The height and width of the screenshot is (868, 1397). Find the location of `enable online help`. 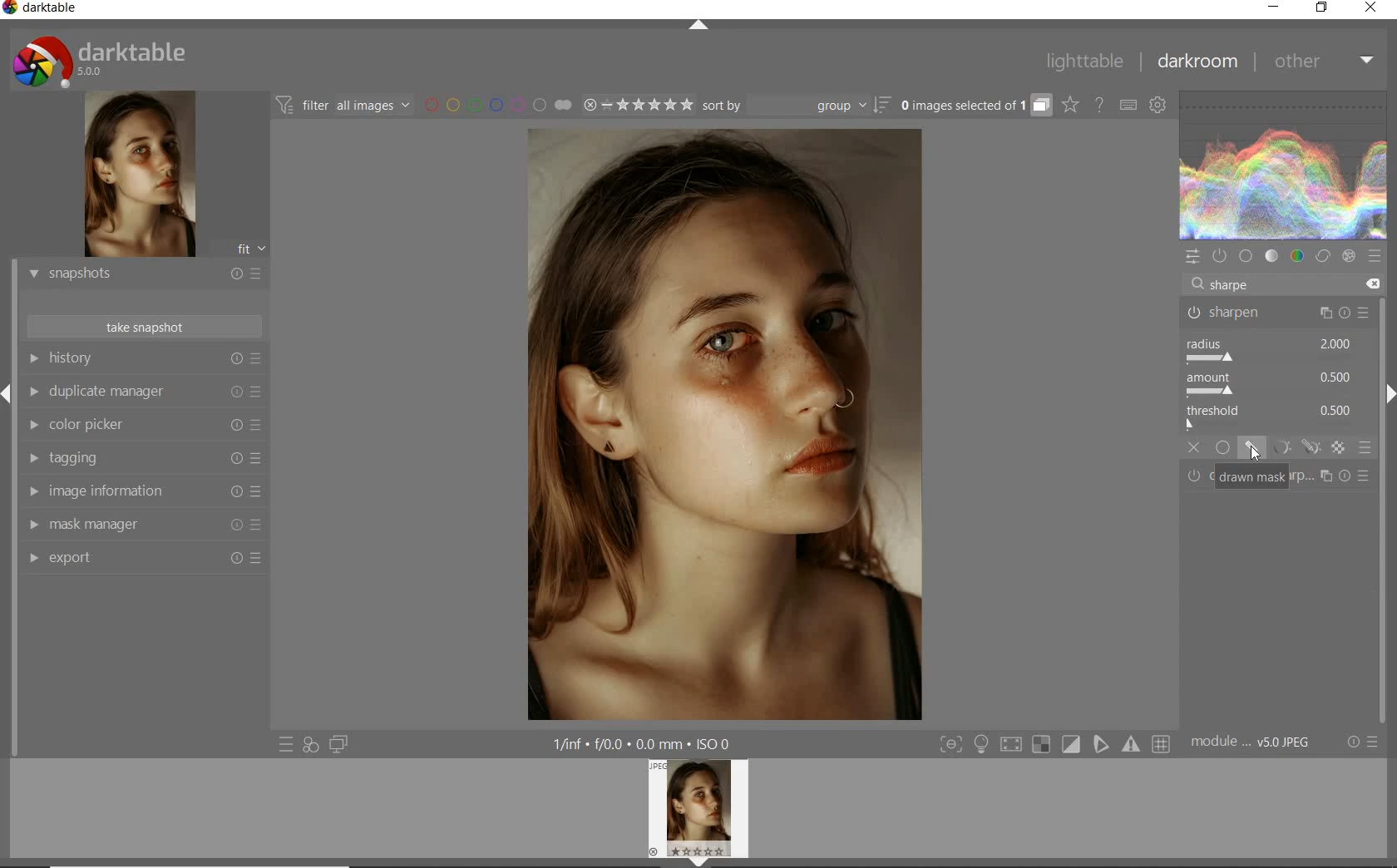

enable online help is located at coordinates (1100, 106).